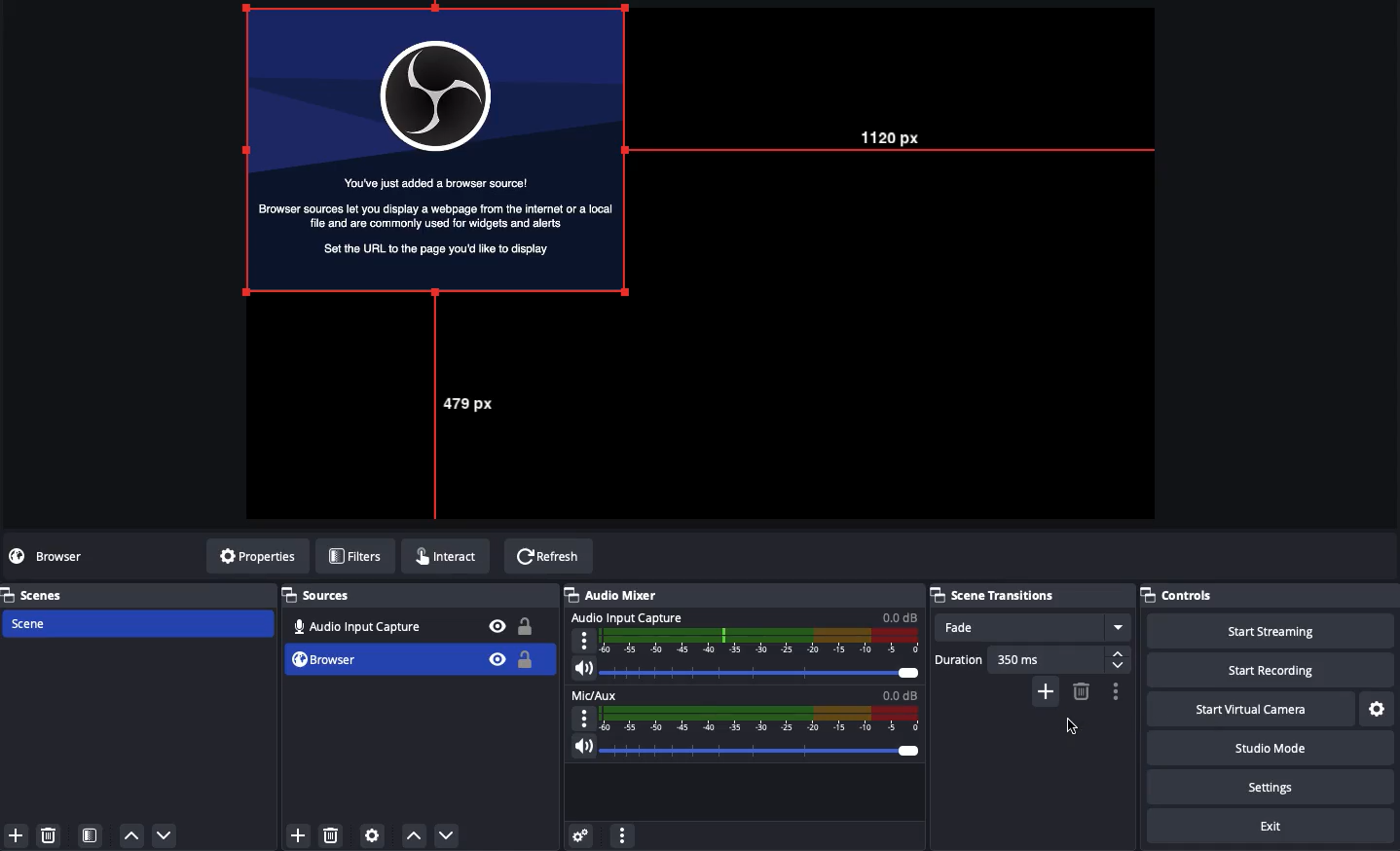 This screenshot has height=851, width=1400. Describe the element at coordinates (1262, 631) in the screenshot. I see `Start streaming` at that location.